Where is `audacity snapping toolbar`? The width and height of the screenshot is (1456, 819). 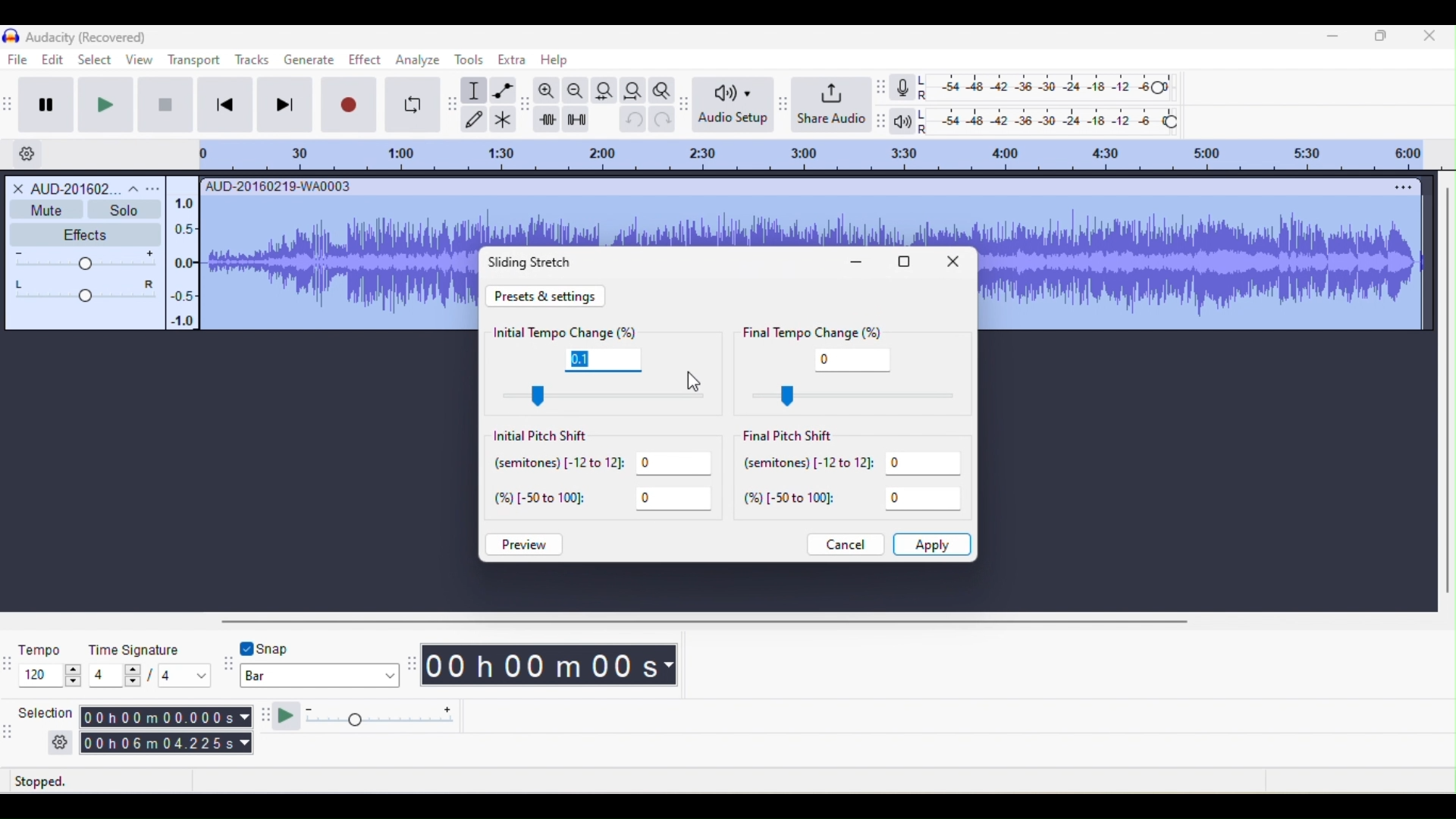 audacity snapping toolbar is located at coordinates (226, 666).